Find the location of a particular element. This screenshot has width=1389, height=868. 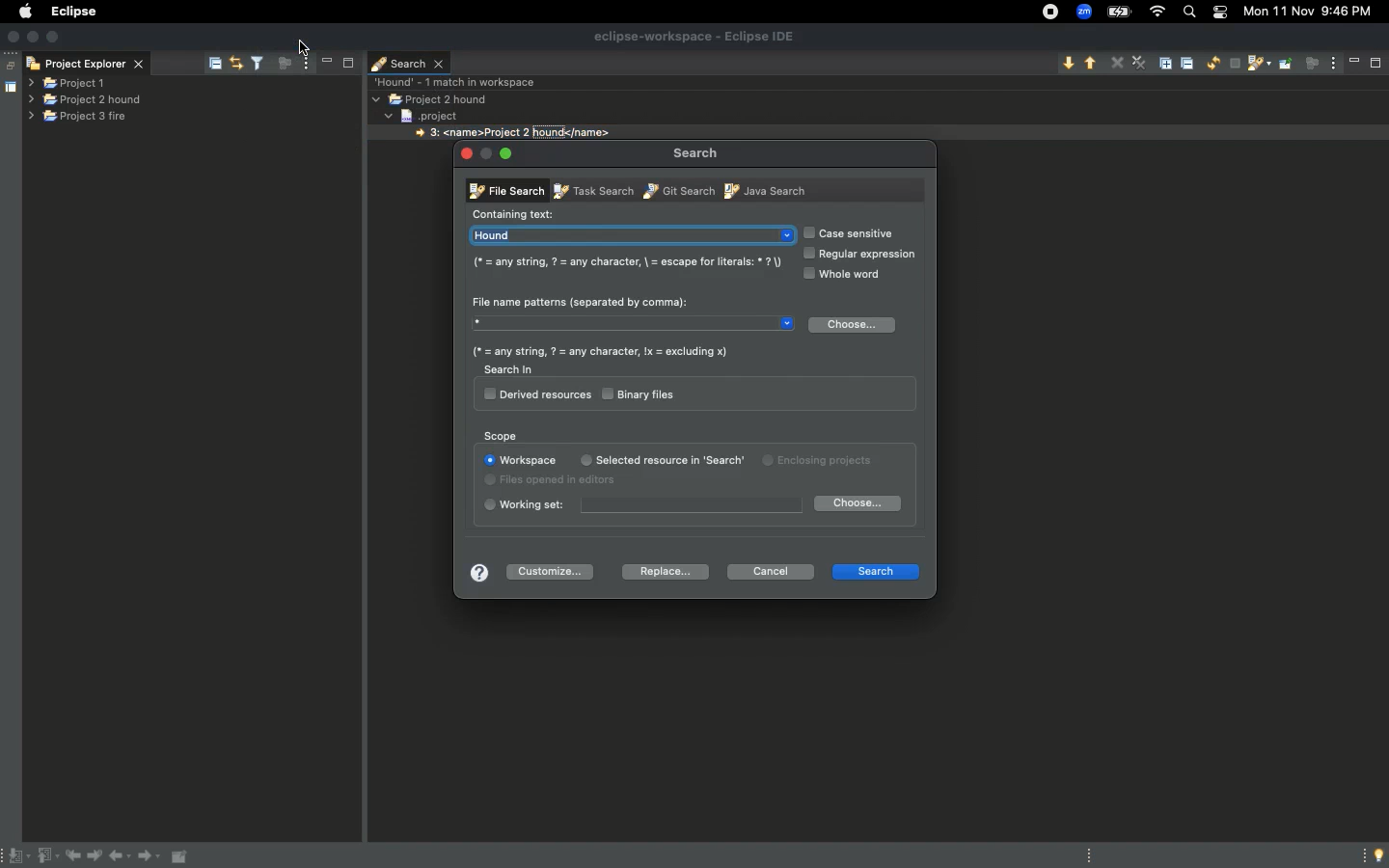

eclipse-workspace - Eclipse IDE is located at coordinates (694, 36).